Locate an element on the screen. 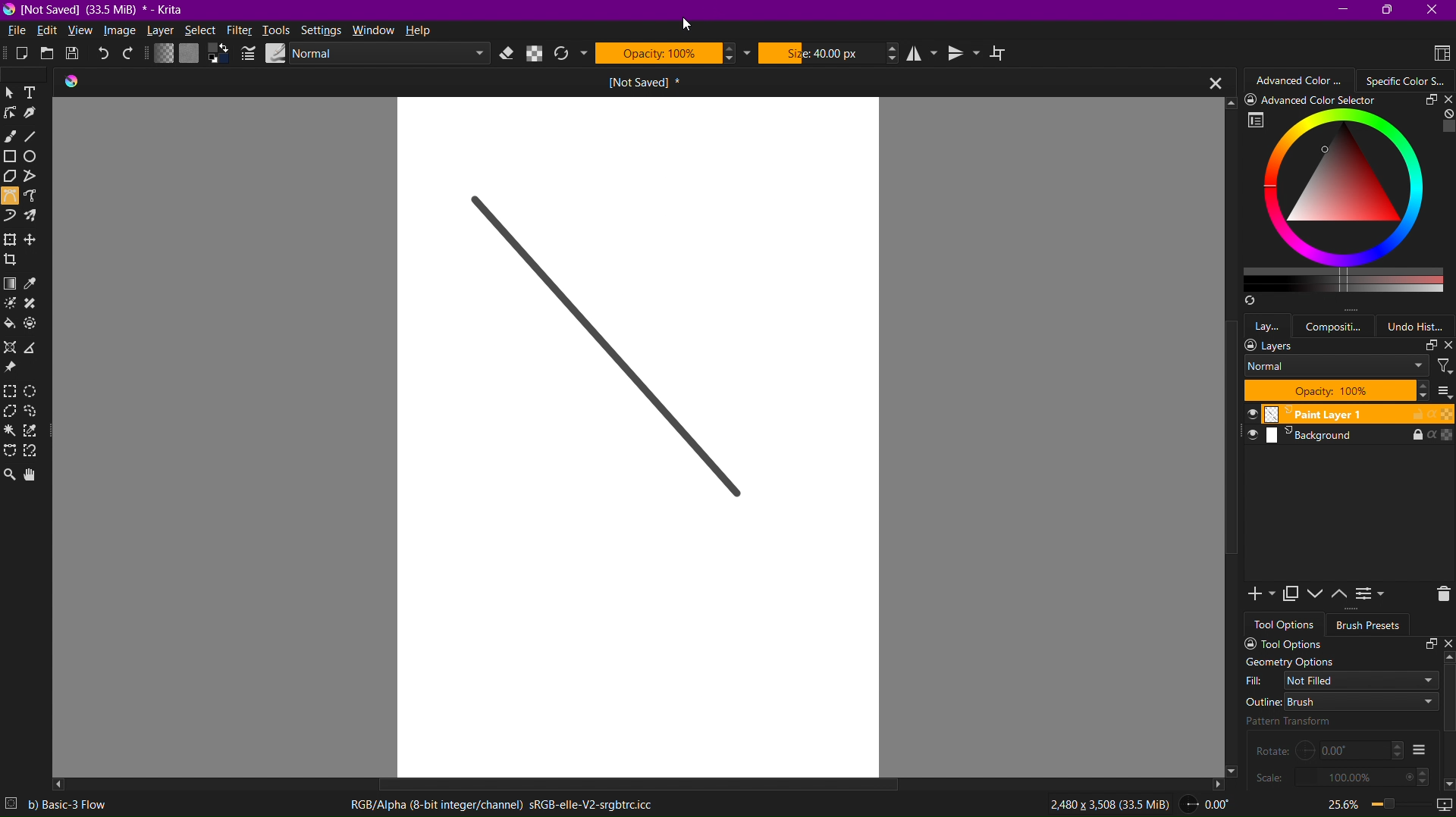 The height and width of the screenshot is (817, 1456). Brush Presets is located at coordinates (1370, 625).